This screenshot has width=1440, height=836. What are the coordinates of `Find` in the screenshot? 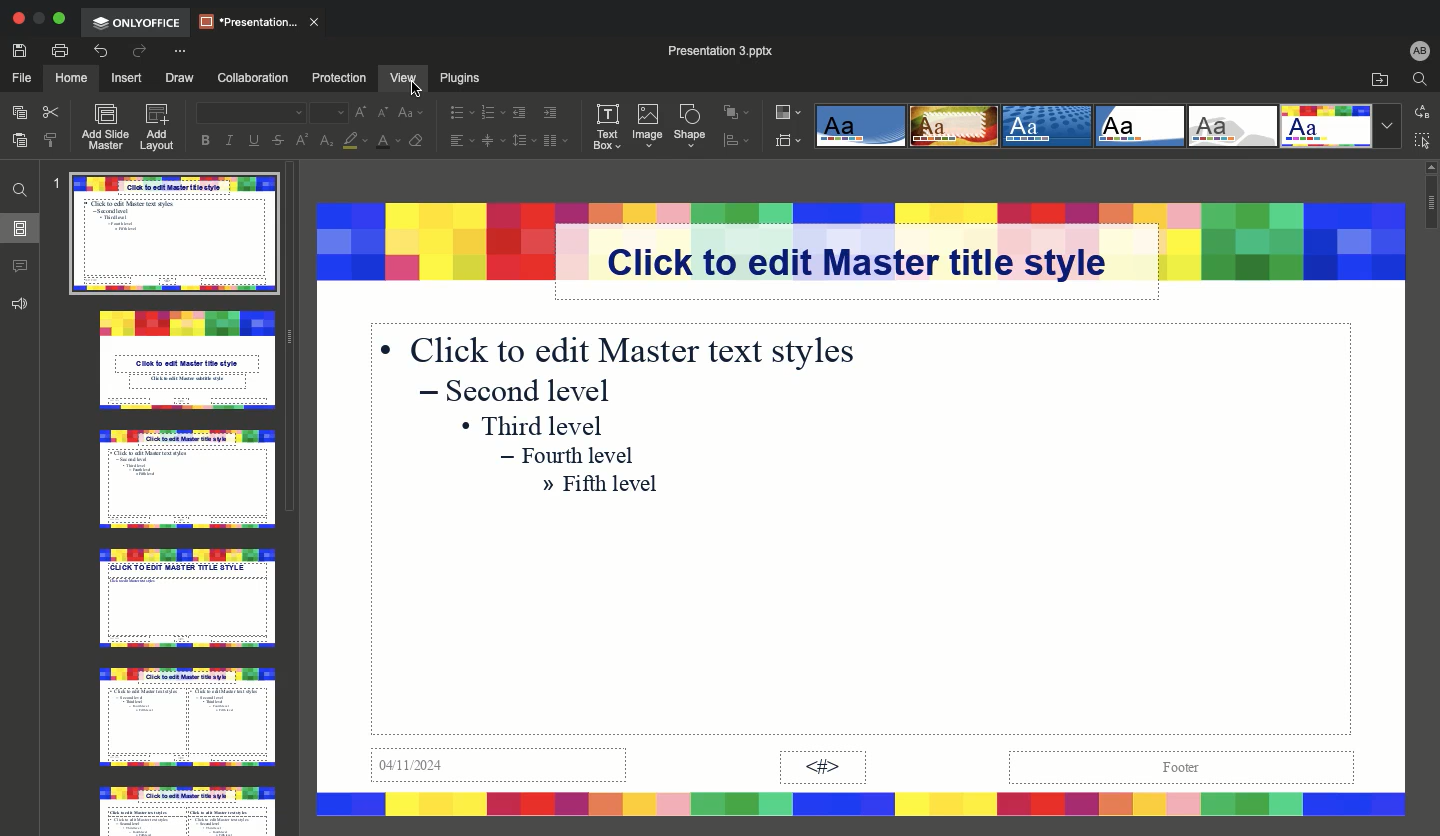 It's located at (1420, 79).